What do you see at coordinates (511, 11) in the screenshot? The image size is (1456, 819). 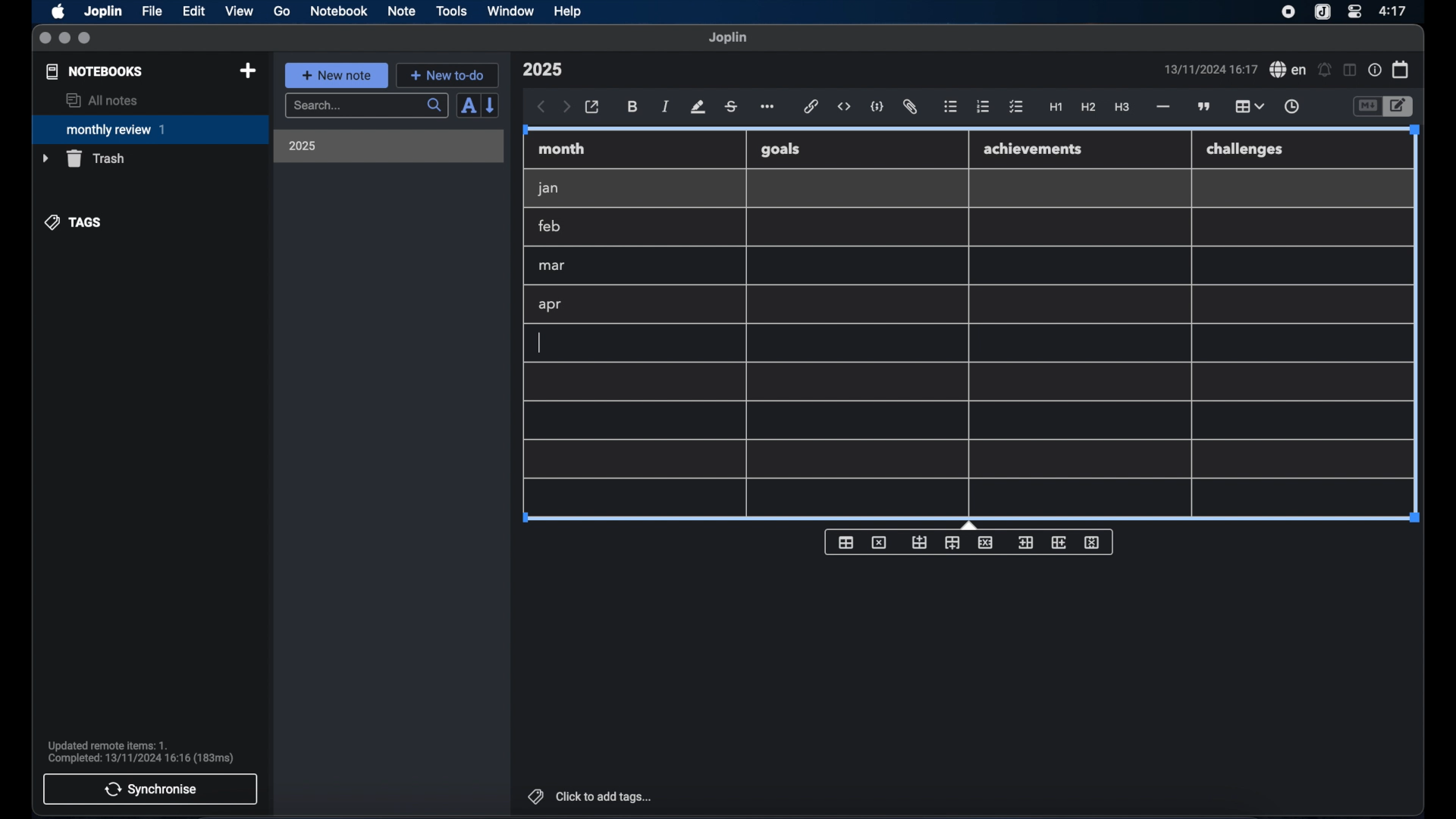 I see `window` at bounding box center [511, 11].